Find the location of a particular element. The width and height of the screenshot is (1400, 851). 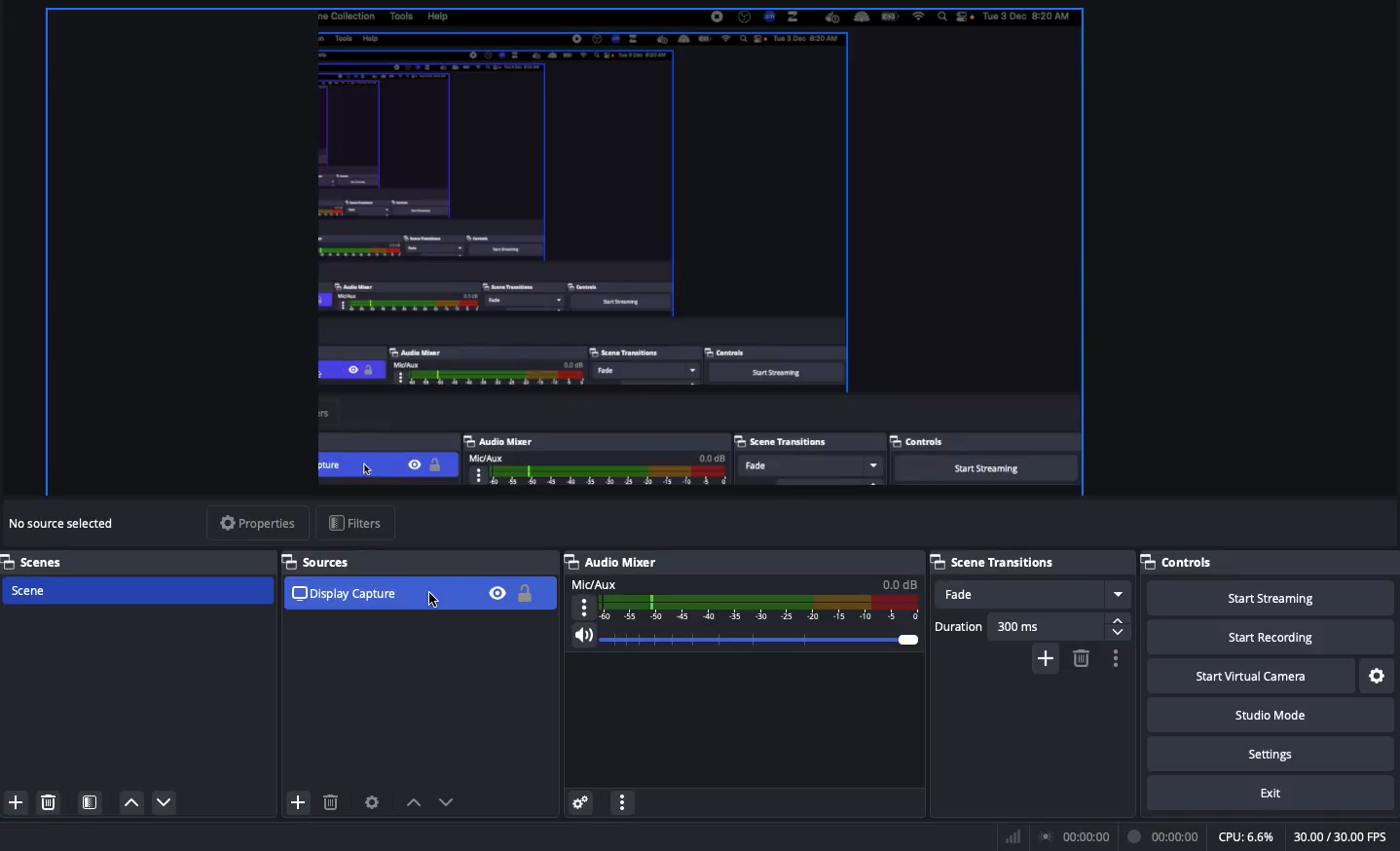

CPU is located at coordinates (1245, 837).